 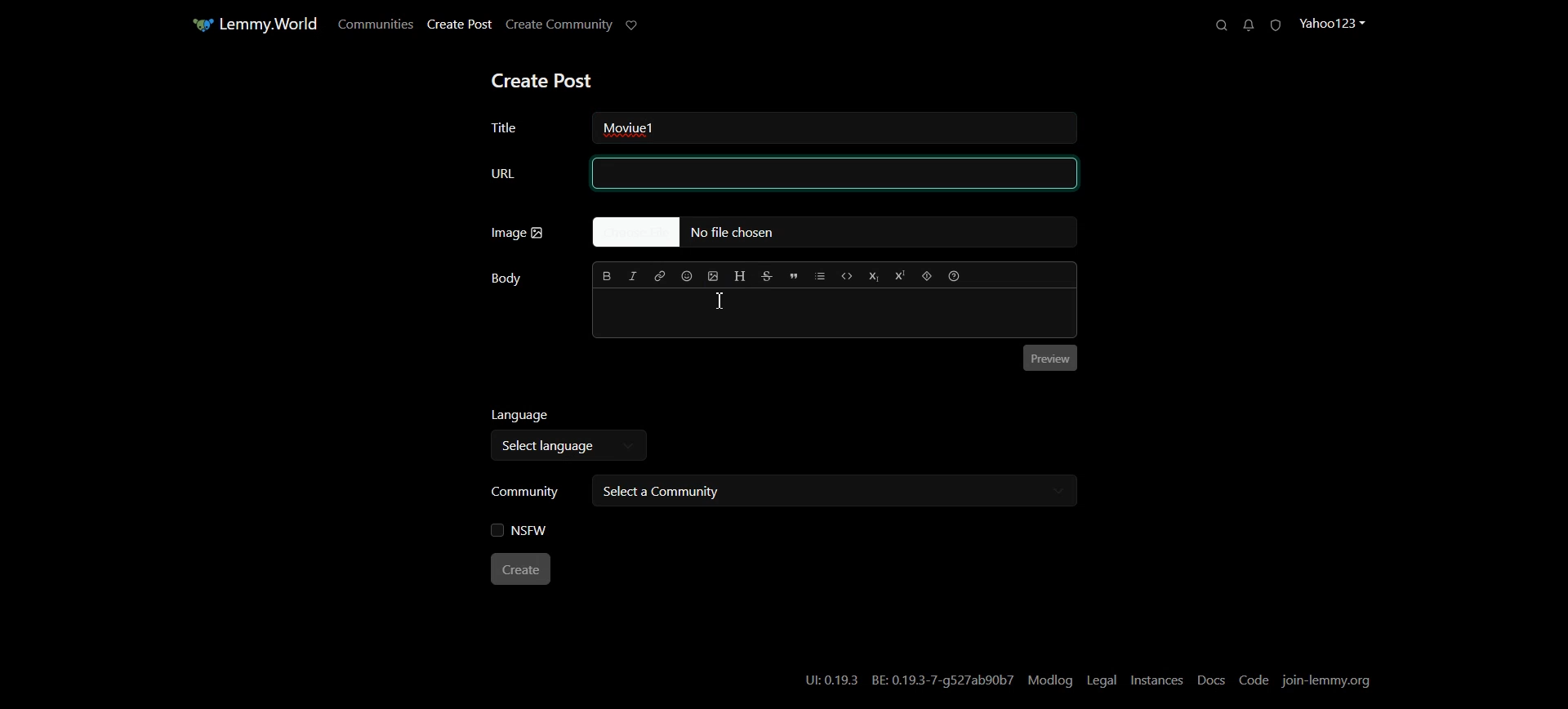 What do you see at coordinates (506, 279) in the screenshot?
I see `Body` at bounding box center [506, 279].